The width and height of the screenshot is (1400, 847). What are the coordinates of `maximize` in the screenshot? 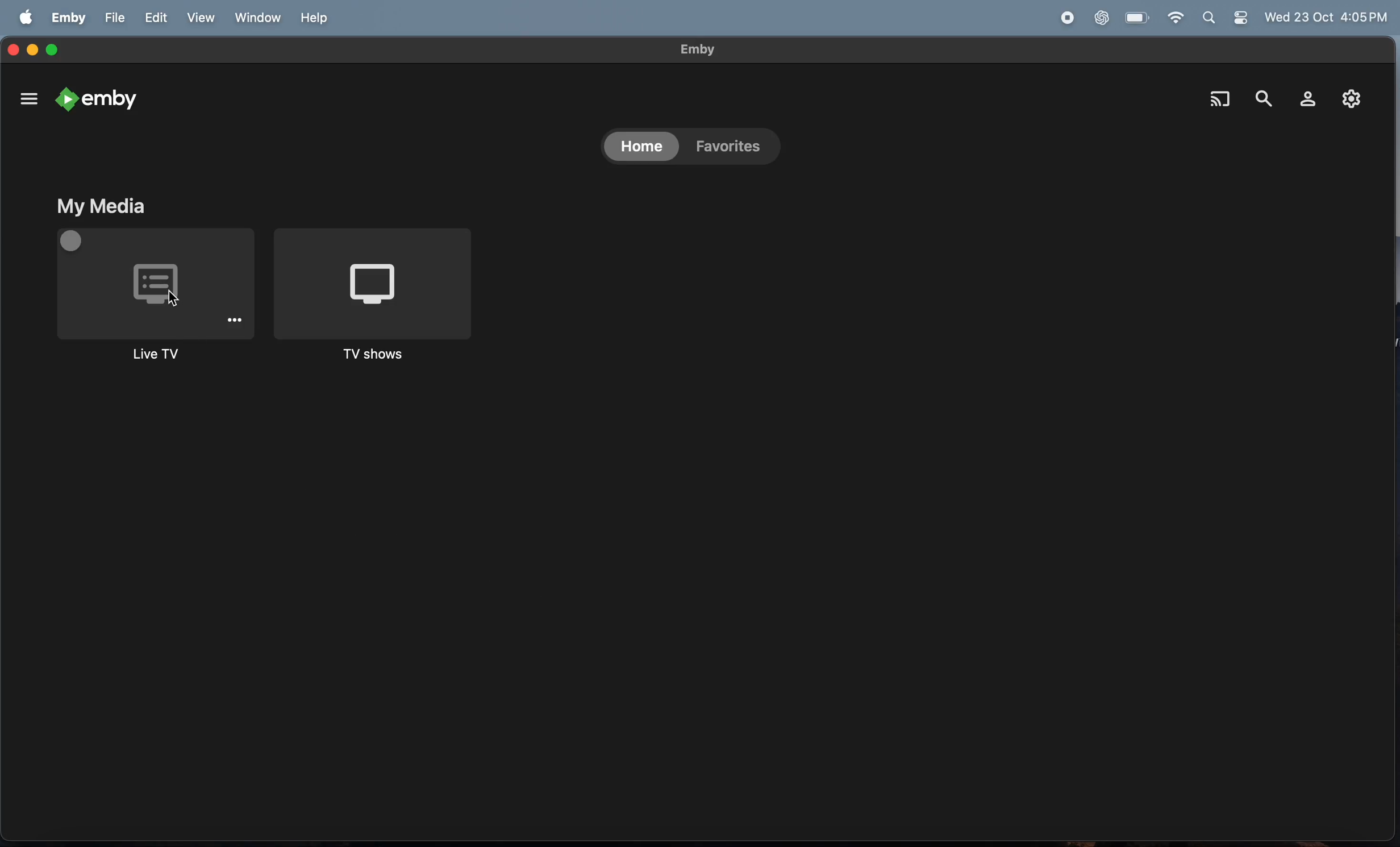 It's located at (56, 50).